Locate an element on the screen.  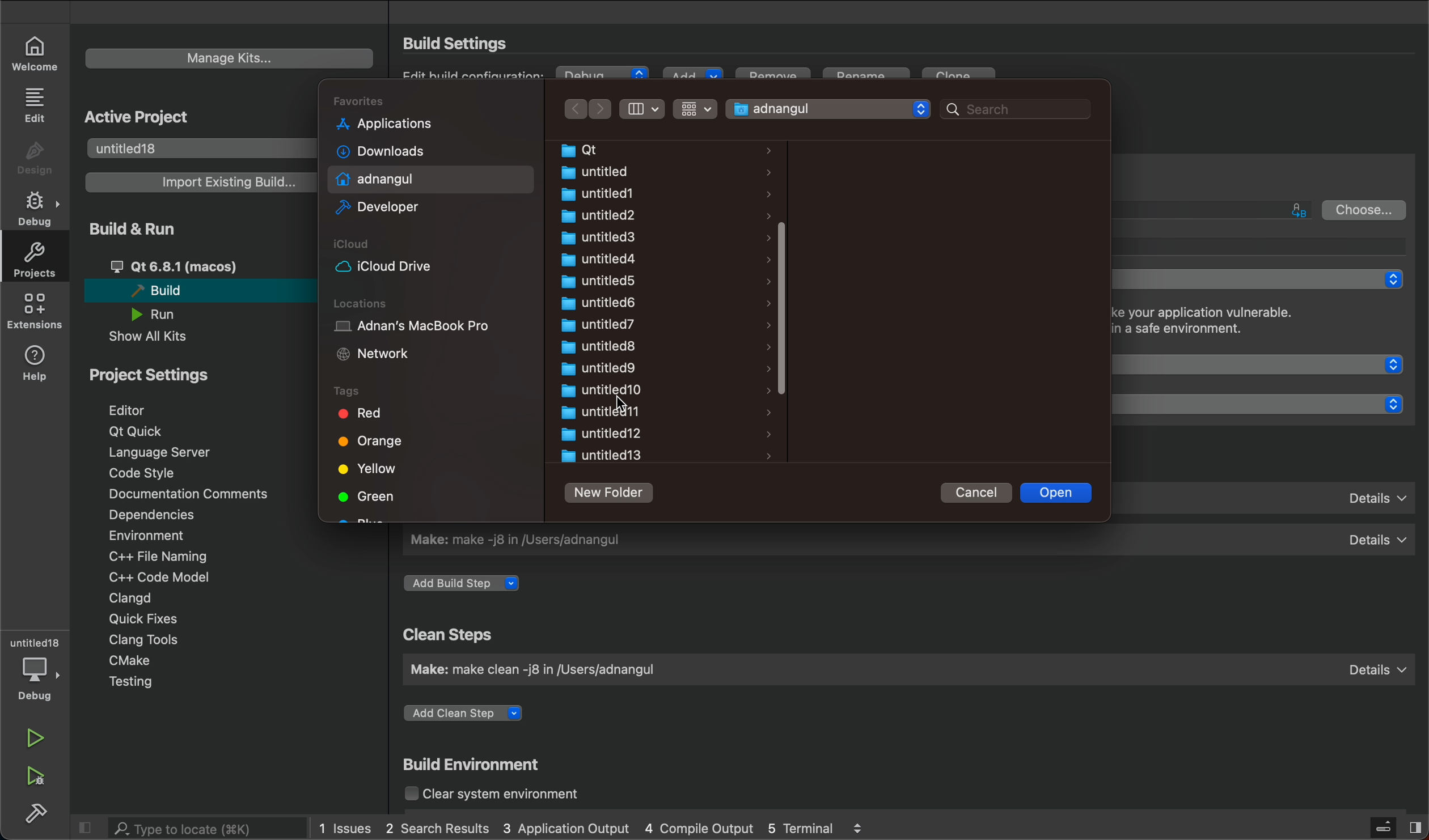
Orange is located at coordinates (367, 441).